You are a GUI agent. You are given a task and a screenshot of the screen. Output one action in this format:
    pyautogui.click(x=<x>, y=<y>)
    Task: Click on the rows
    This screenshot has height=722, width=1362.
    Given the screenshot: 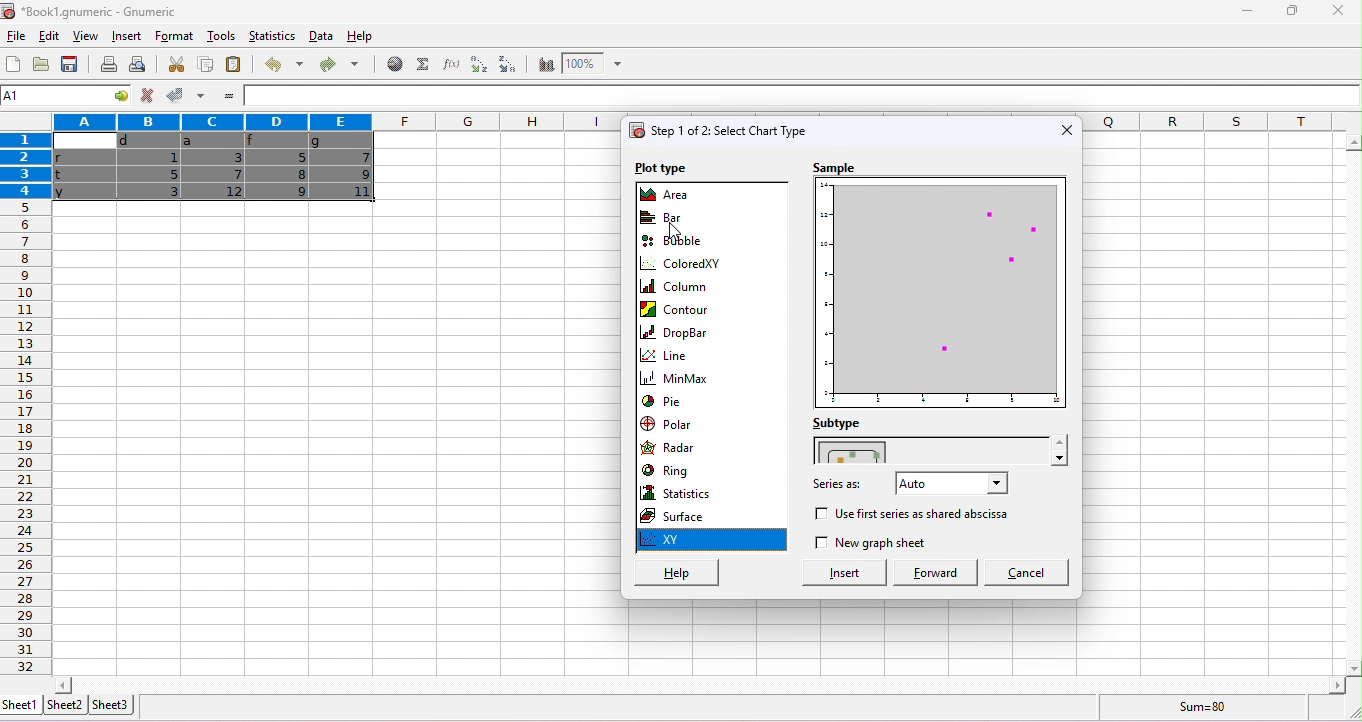 What is the action you would take?
    pyautogui.click(x=23, y=168)
    